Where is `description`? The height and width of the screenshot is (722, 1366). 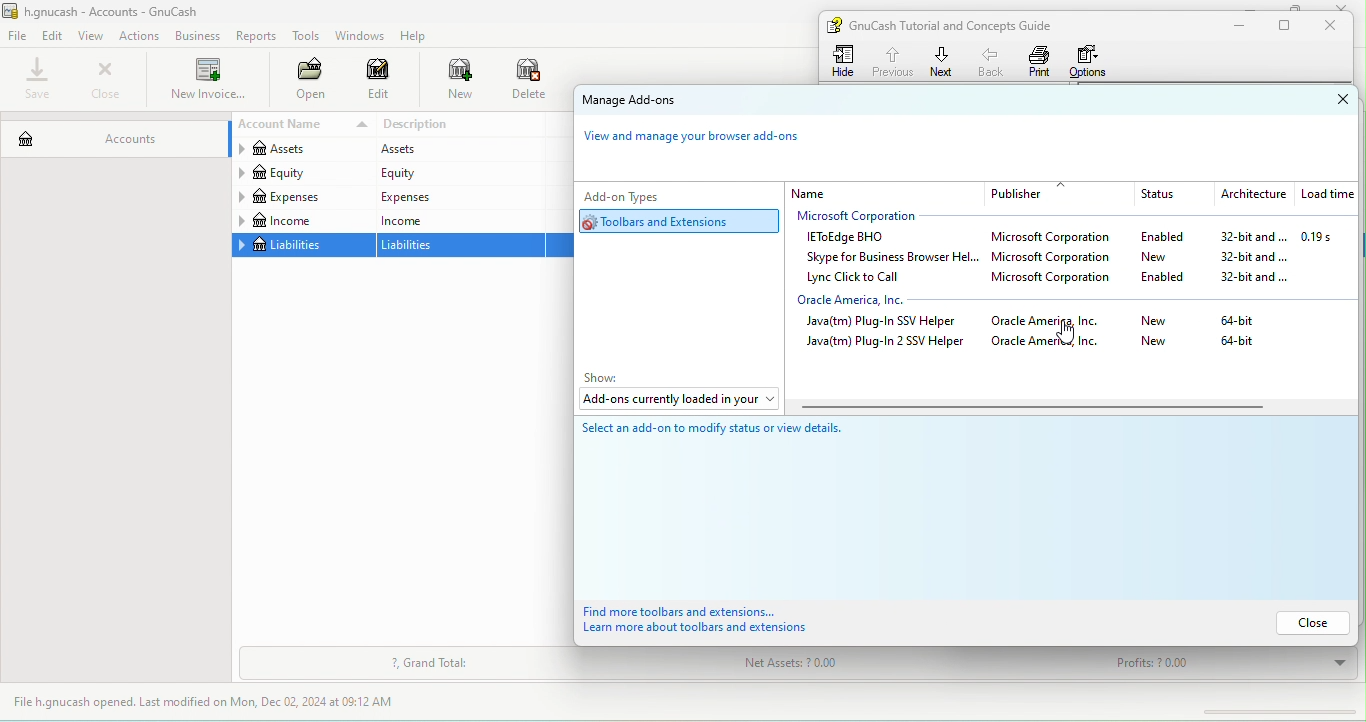 description is located at coordinates (461, 125).